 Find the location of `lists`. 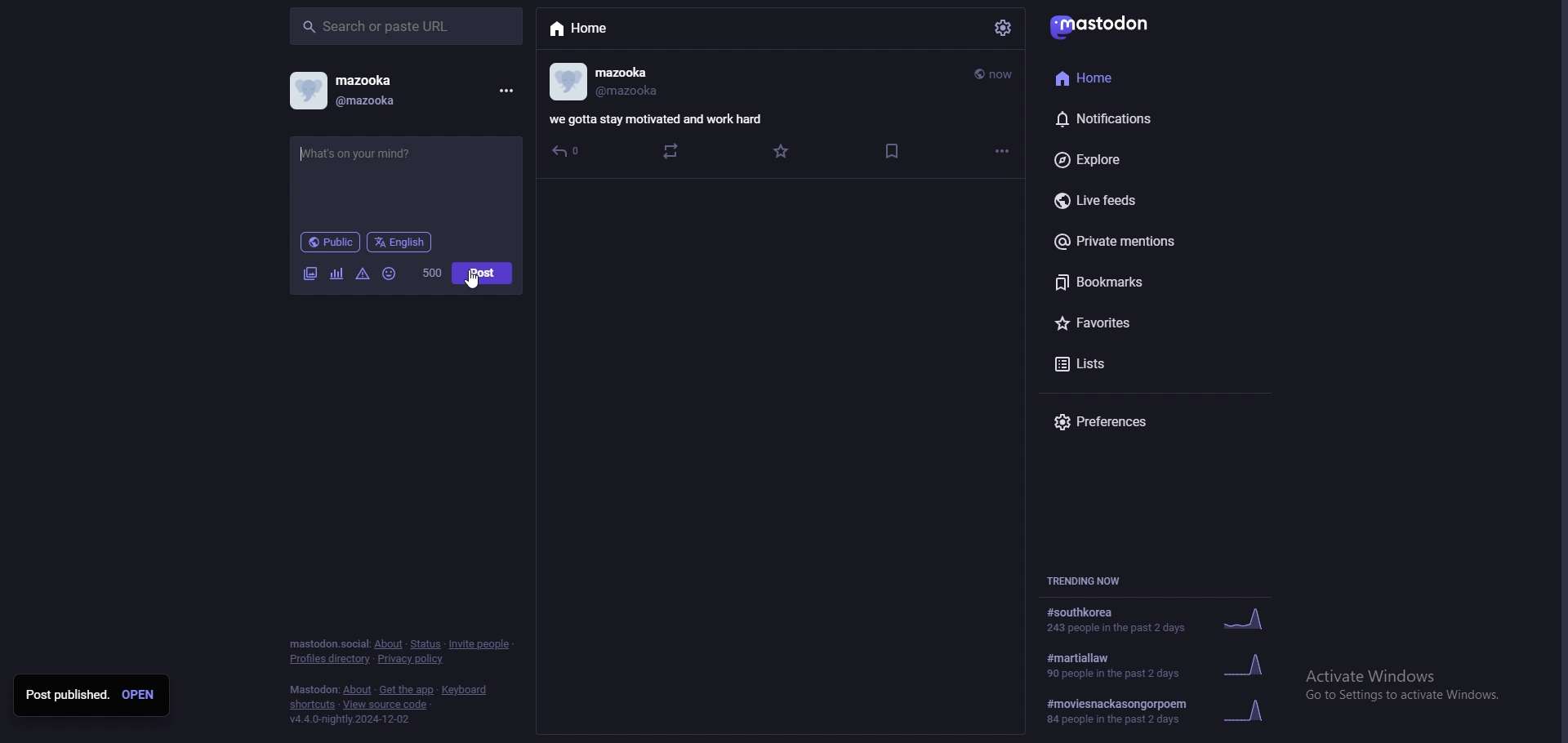

lists is located at coordinates (1130, 366).